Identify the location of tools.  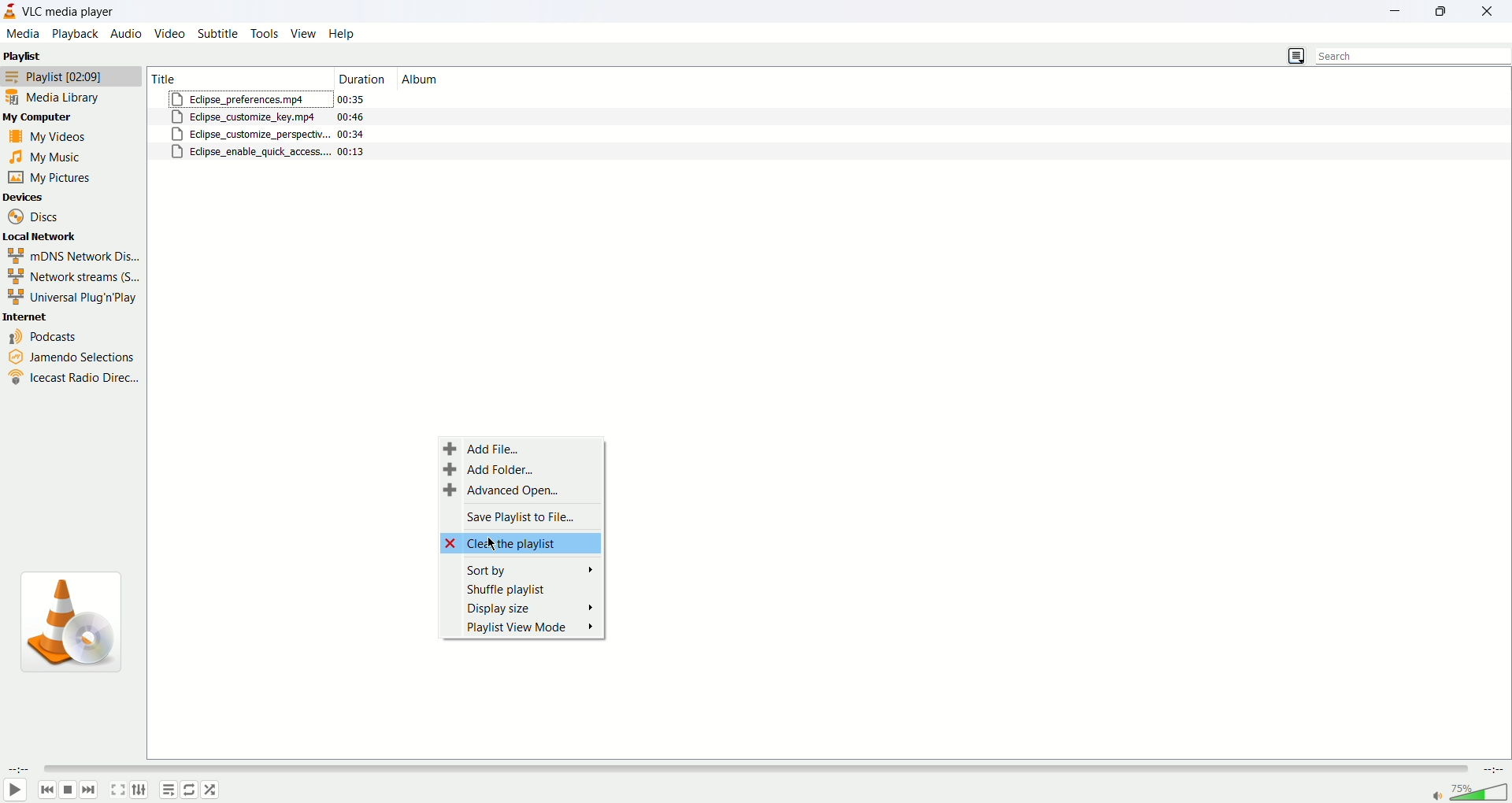
(264, 34).